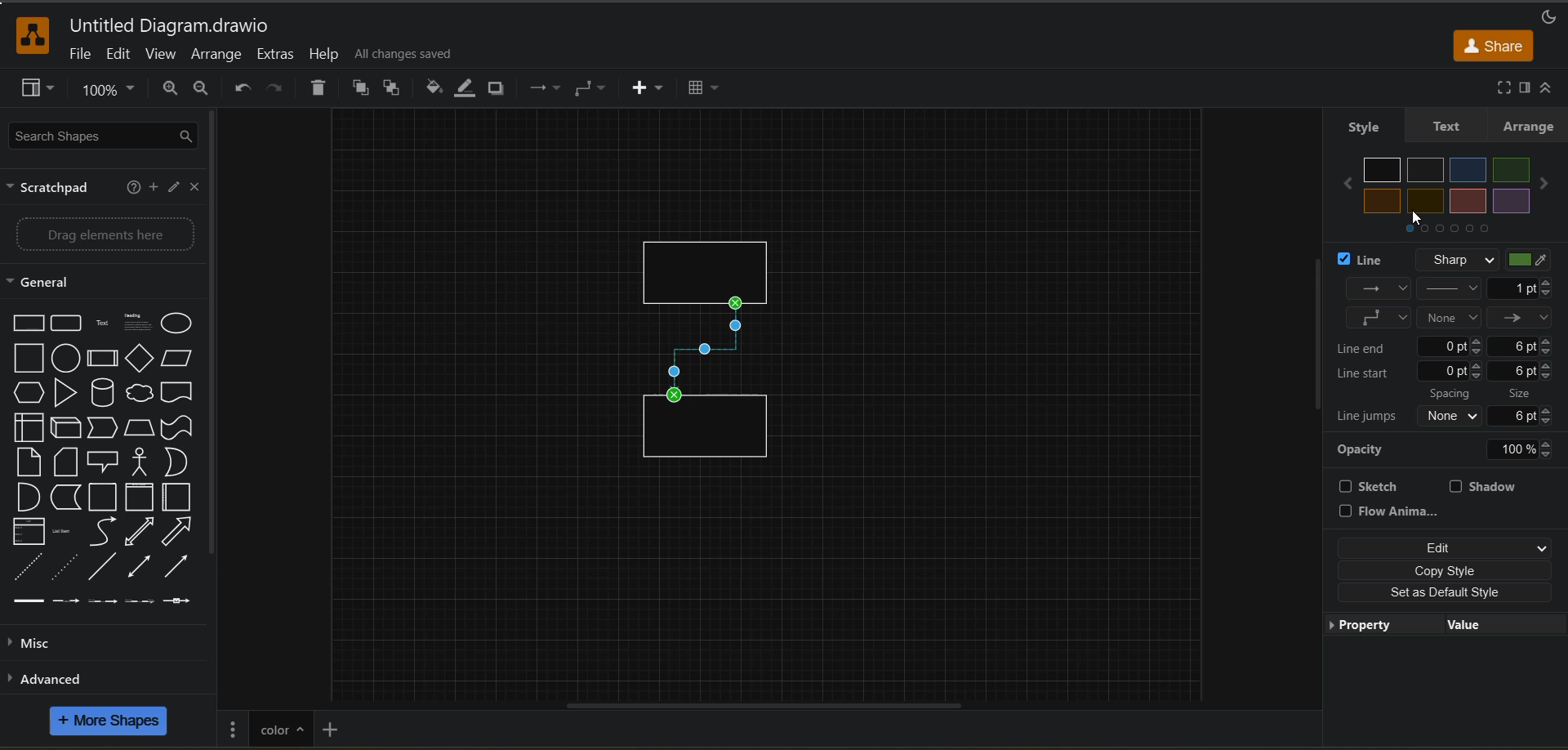 The image size is (1568, 750). I want to click on Line start, so click(1367, 373).